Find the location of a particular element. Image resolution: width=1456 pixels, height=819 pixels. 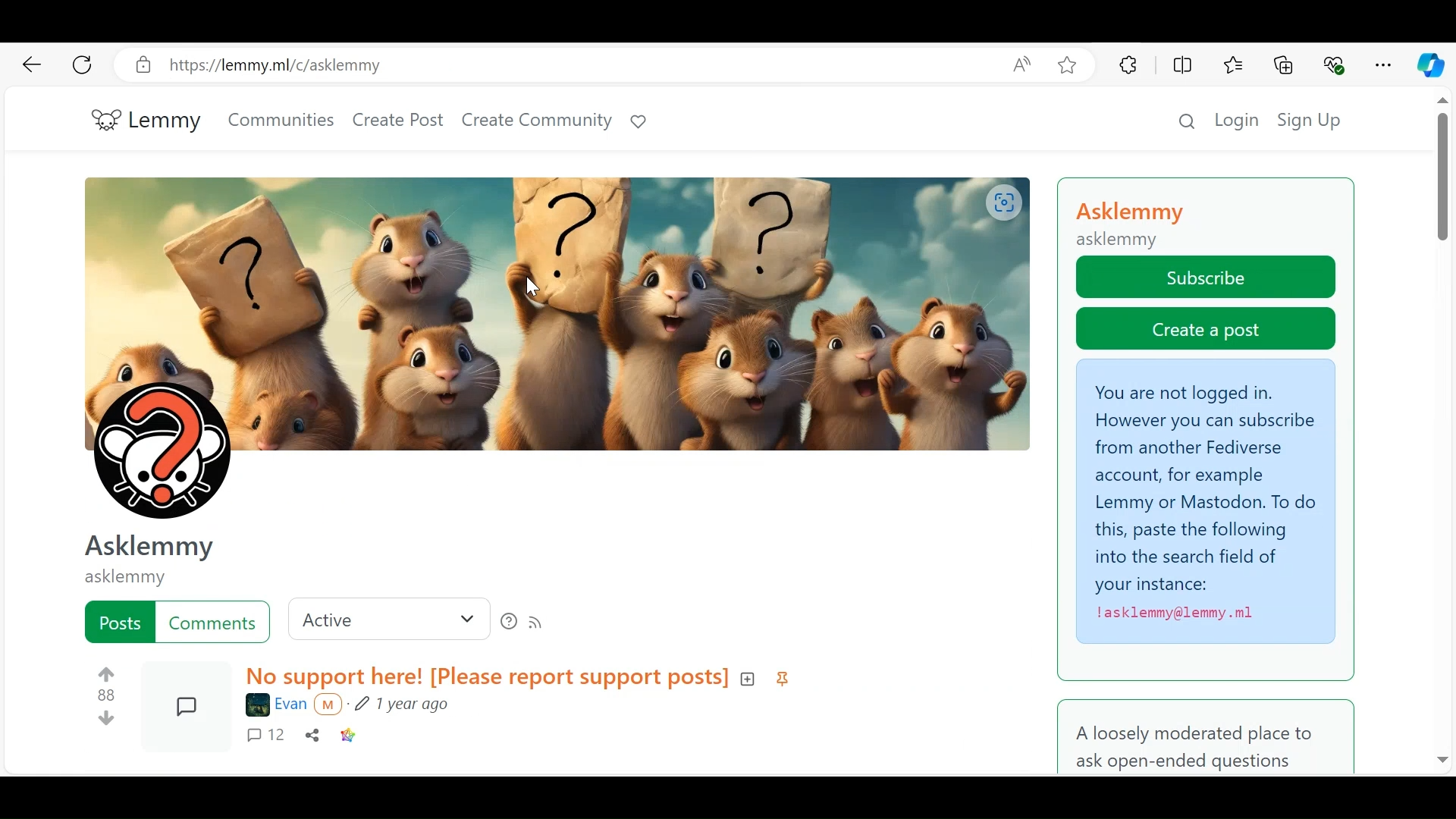

 is located at coordinates (1446, 102).